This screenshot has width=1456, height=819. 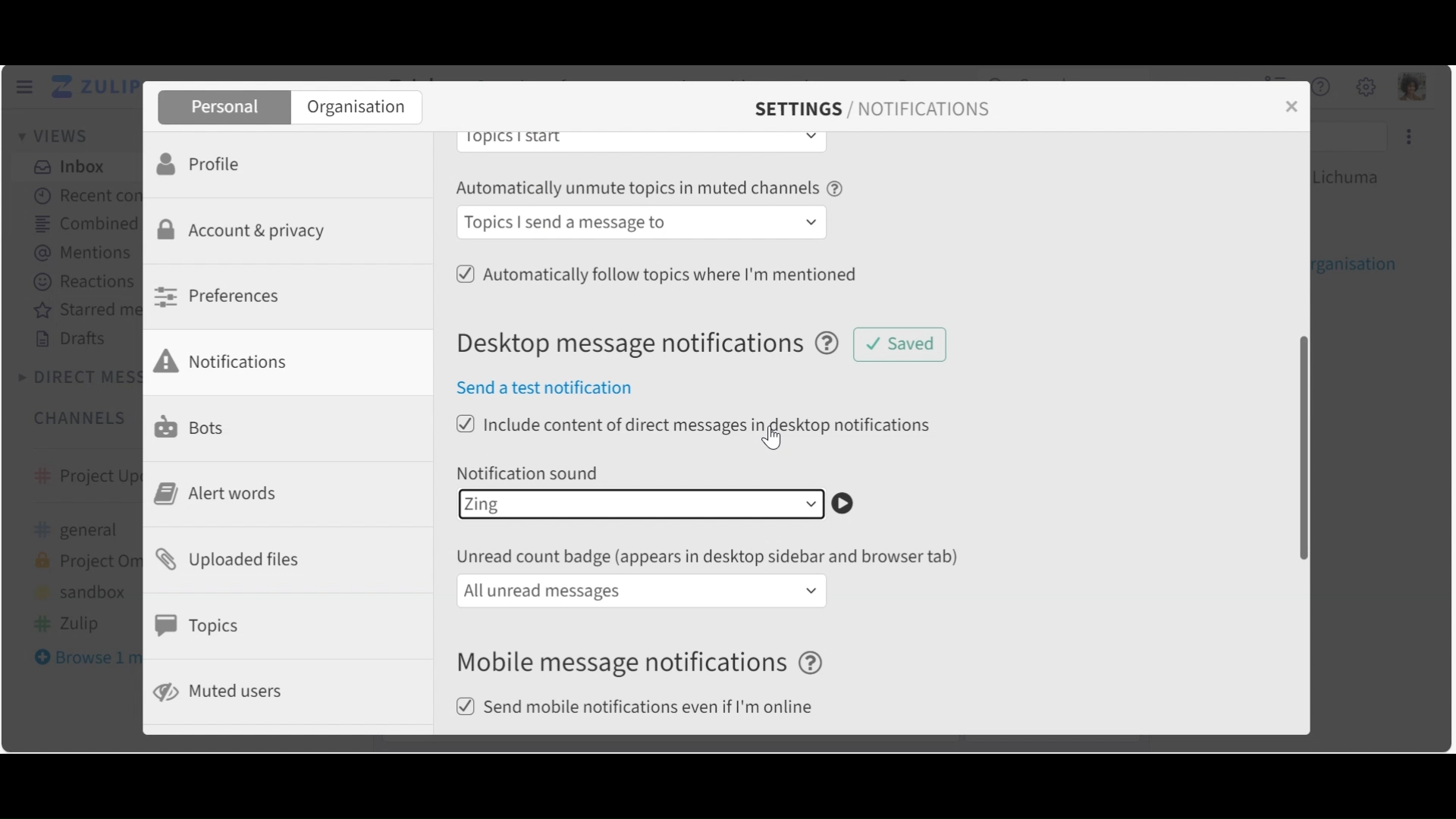 I want to click on Personal, so click(x=222, y=108).